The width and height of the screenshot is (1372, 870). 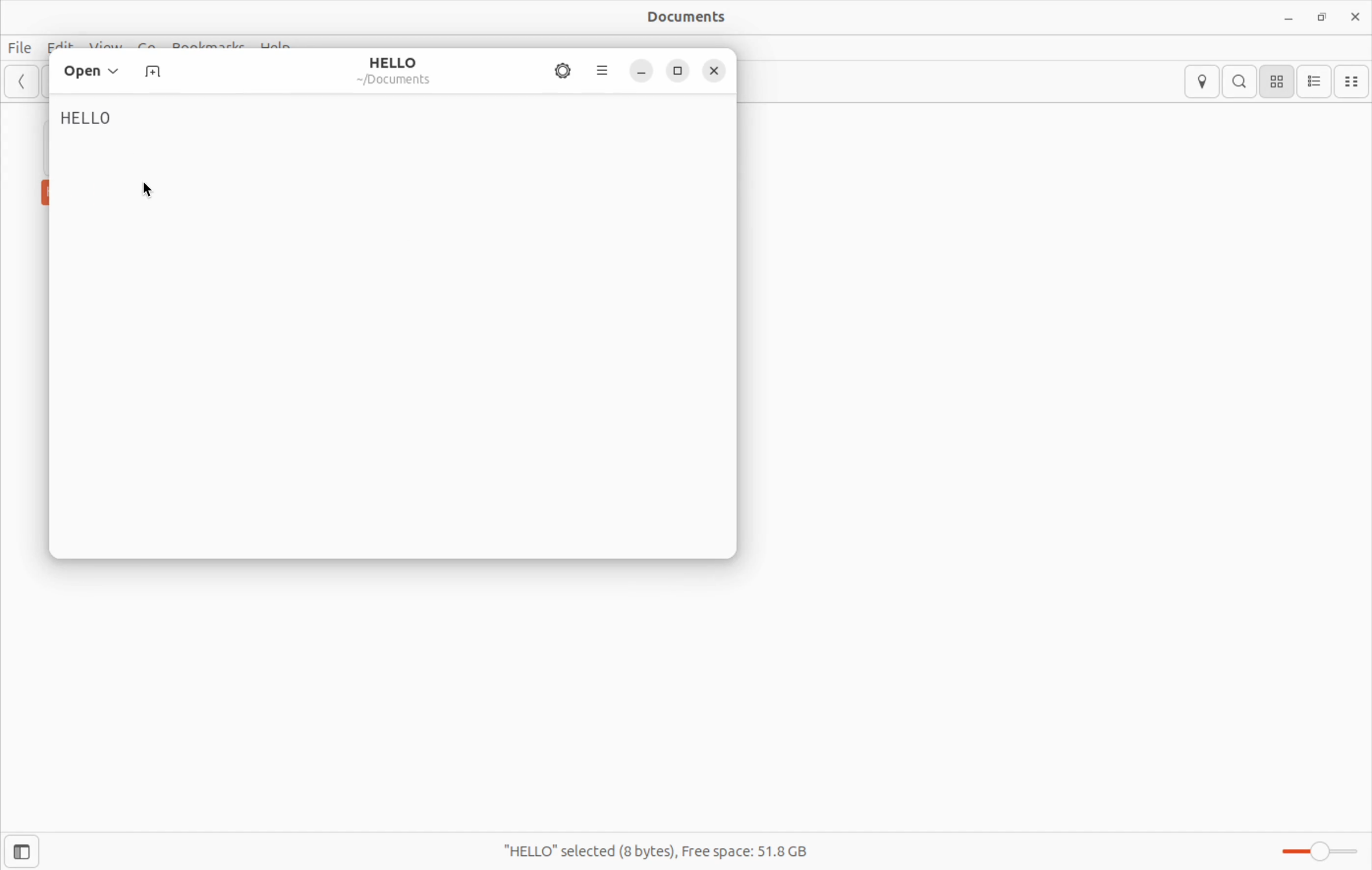 What do you see at coordinates (659, 850) in the screenshot?
I see `"HELLO" selected(8 bytes), Free space: 51.8 GB` at bounding box center [659, 850].